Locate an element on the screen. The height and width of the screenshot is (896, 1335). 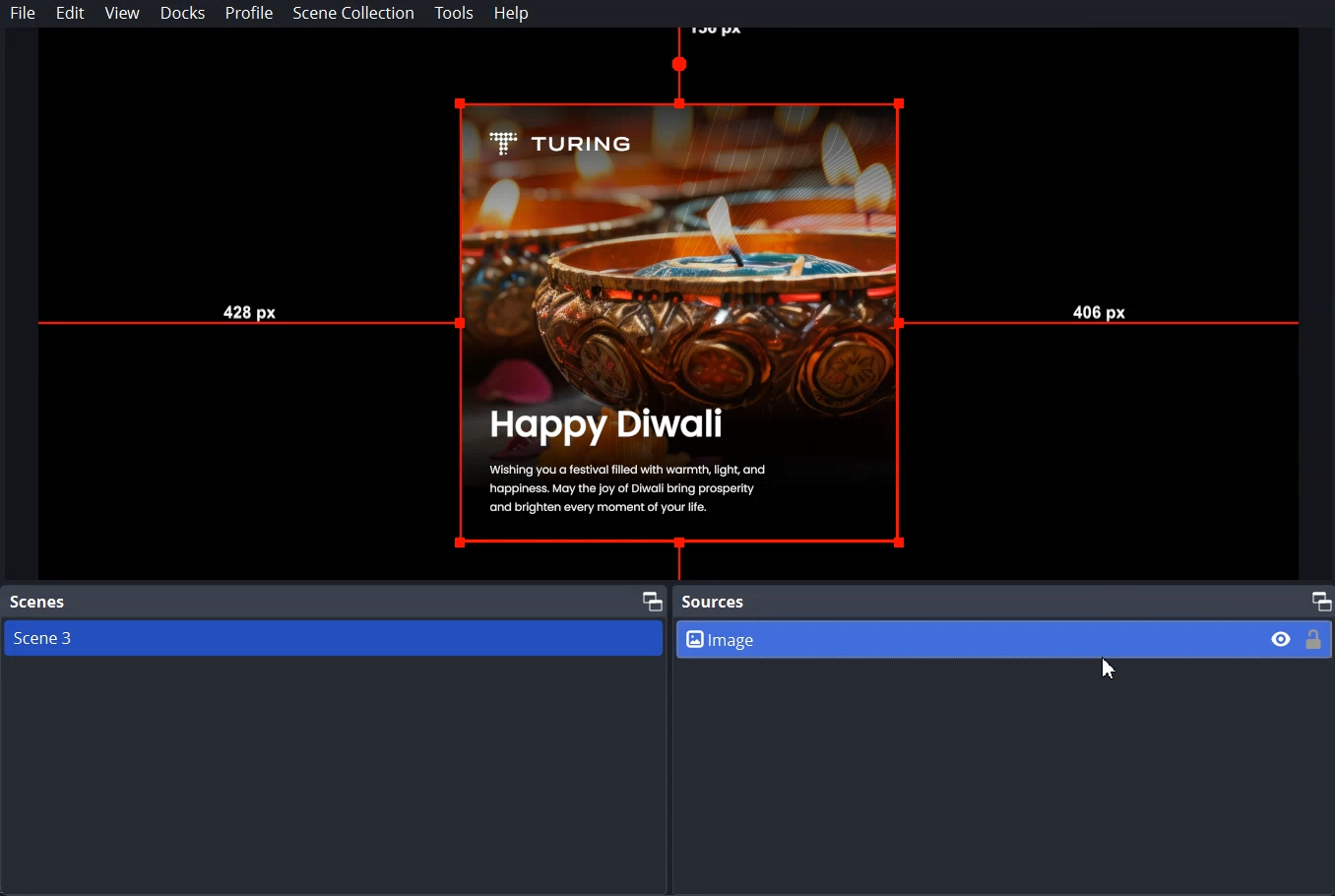
View is located at coordinates (122, 13).